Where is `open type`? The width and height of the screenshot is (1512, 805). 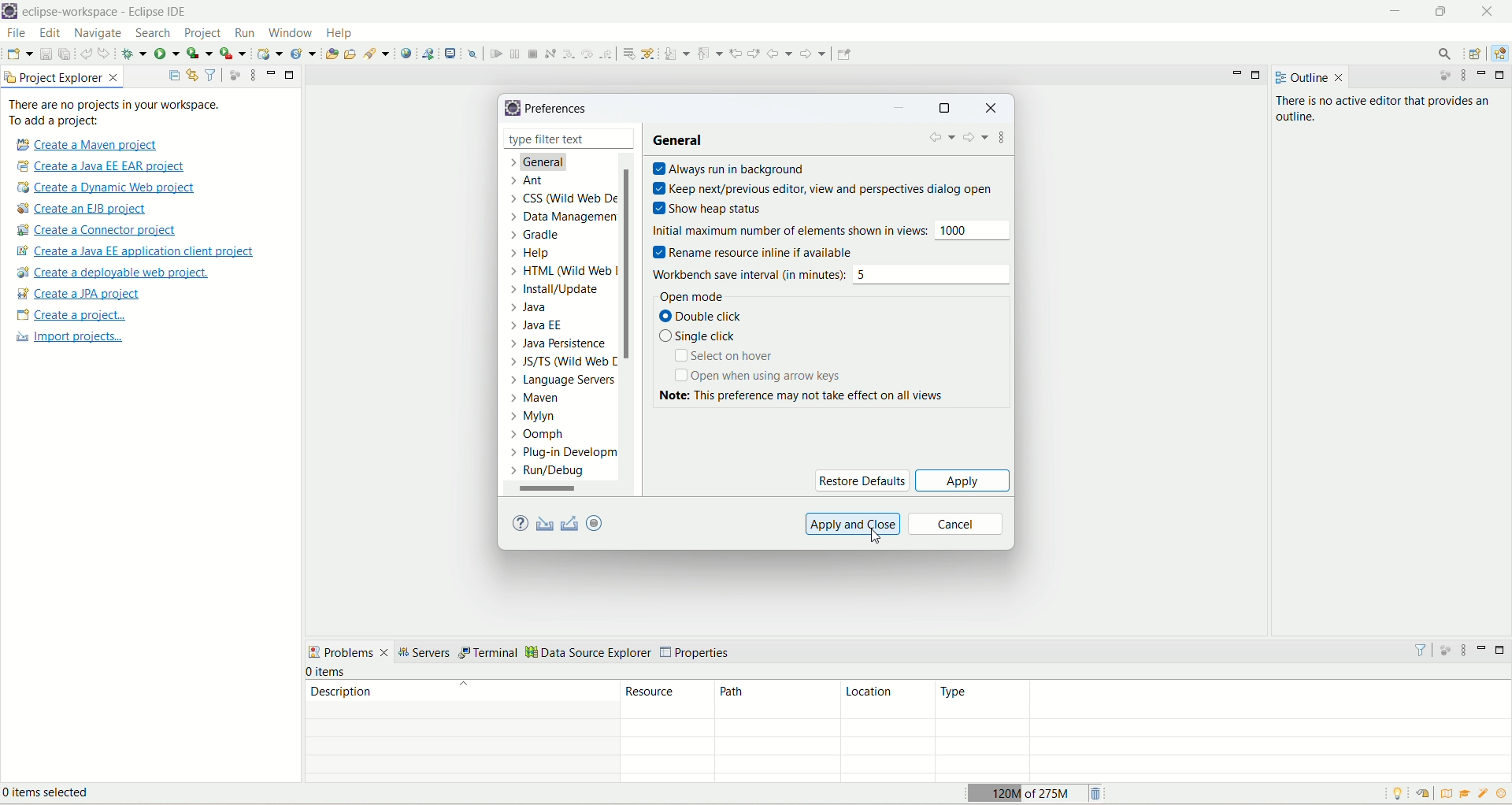
open type is located at coordinates (332, 52).